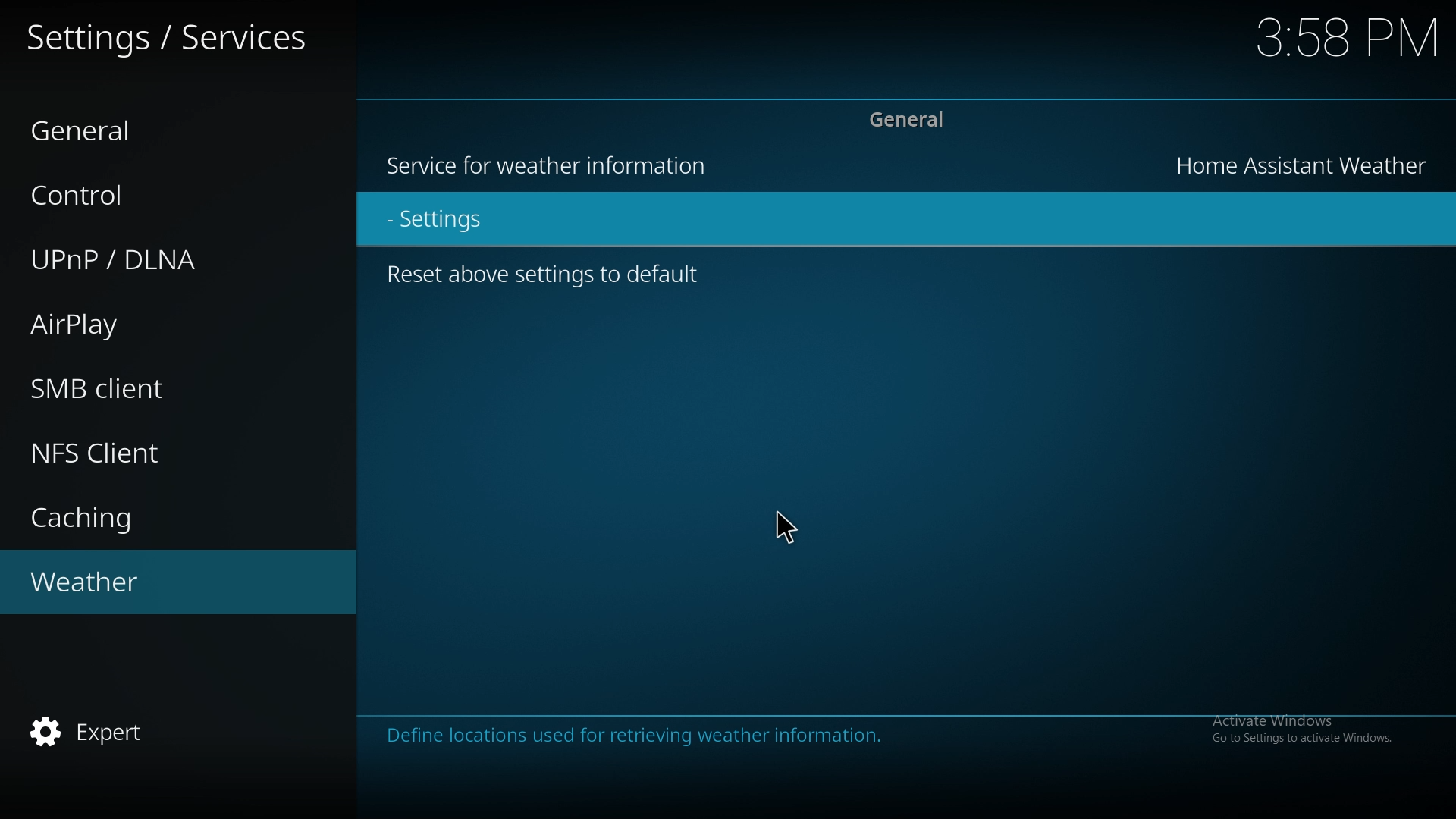  What do you see at coordinates (901, 121) in the screenshot?
I see `General` at bounding box center [901, 121].